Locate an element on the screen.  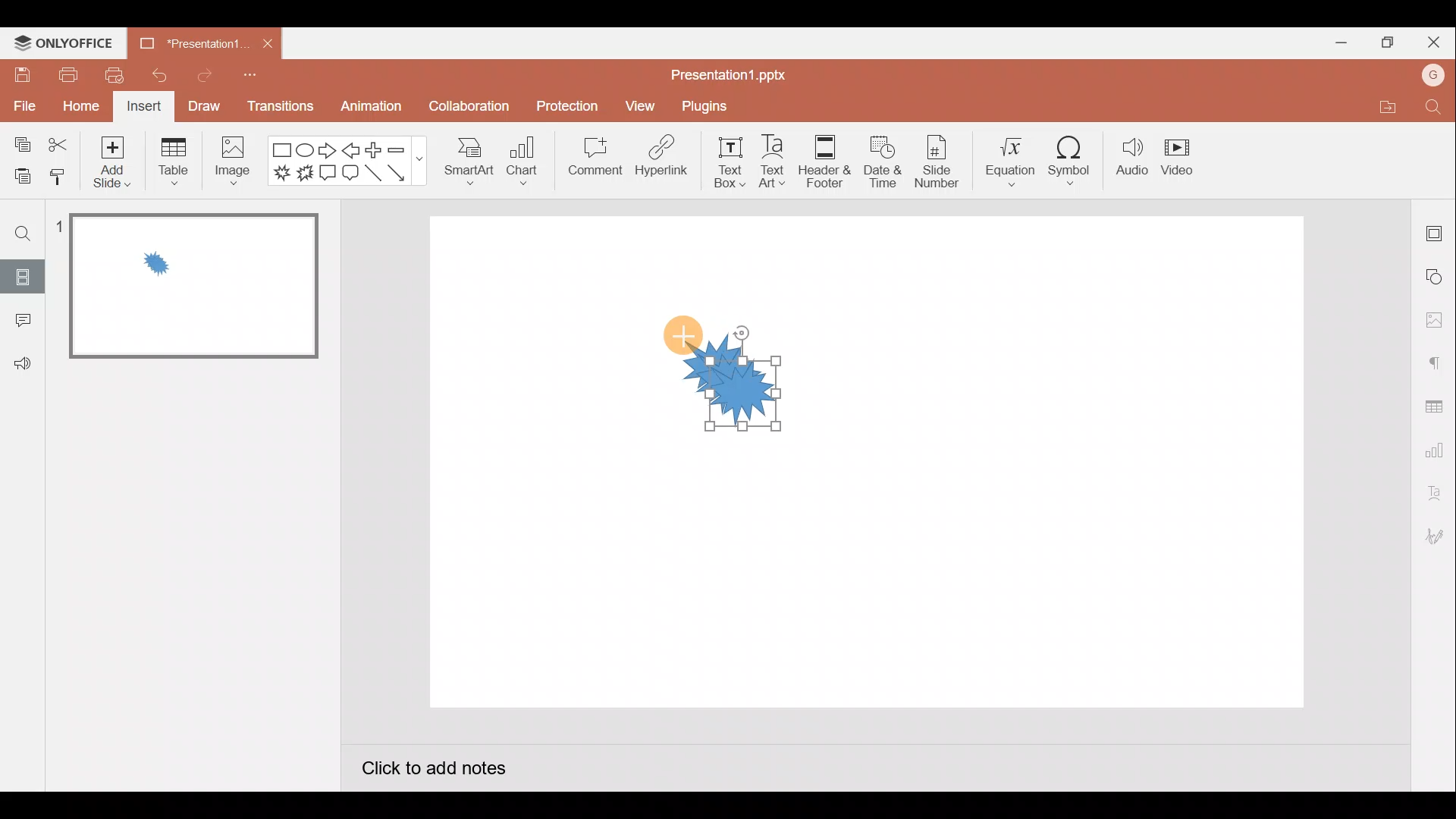
Maximize is located at coordinates (1384, 42).